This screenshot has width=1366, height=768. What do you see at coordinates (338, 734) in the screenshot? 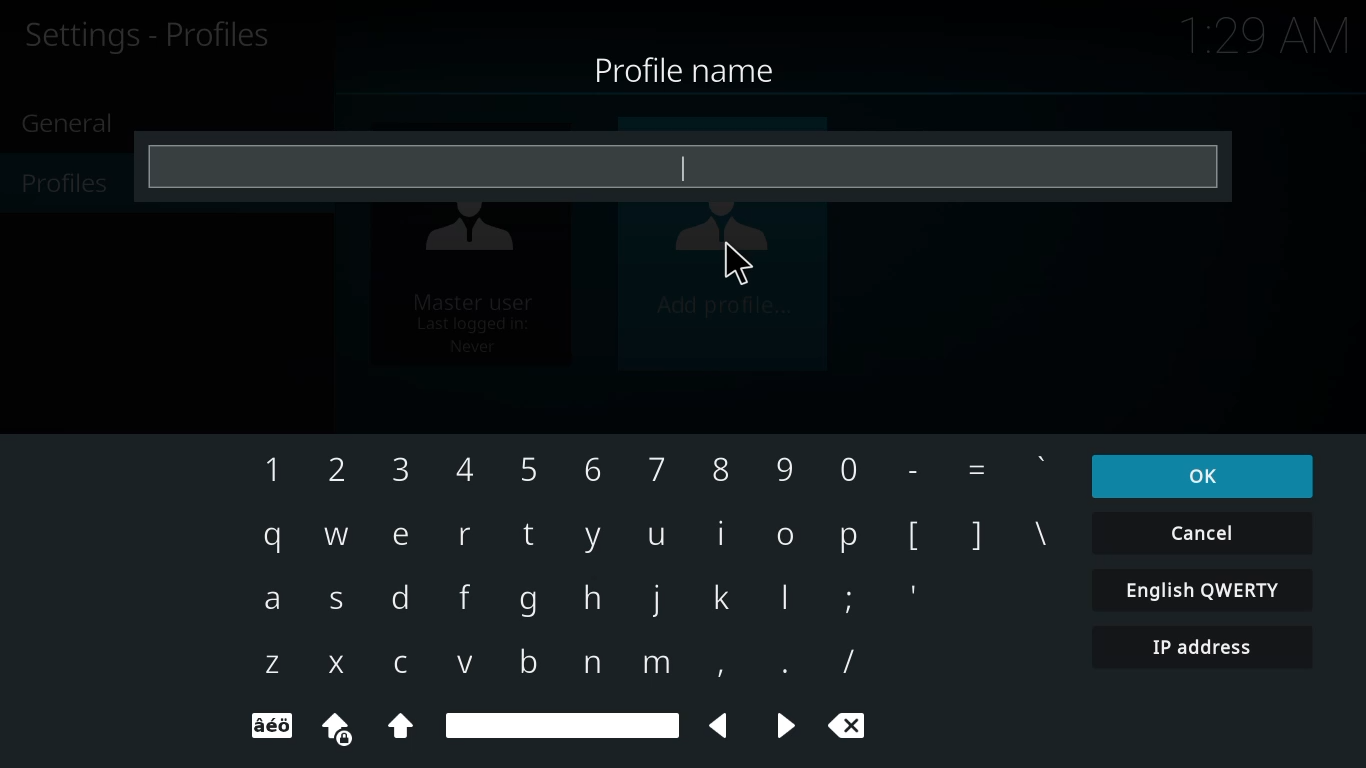
I see `uppercase locked` at bounding box center [338, 734].